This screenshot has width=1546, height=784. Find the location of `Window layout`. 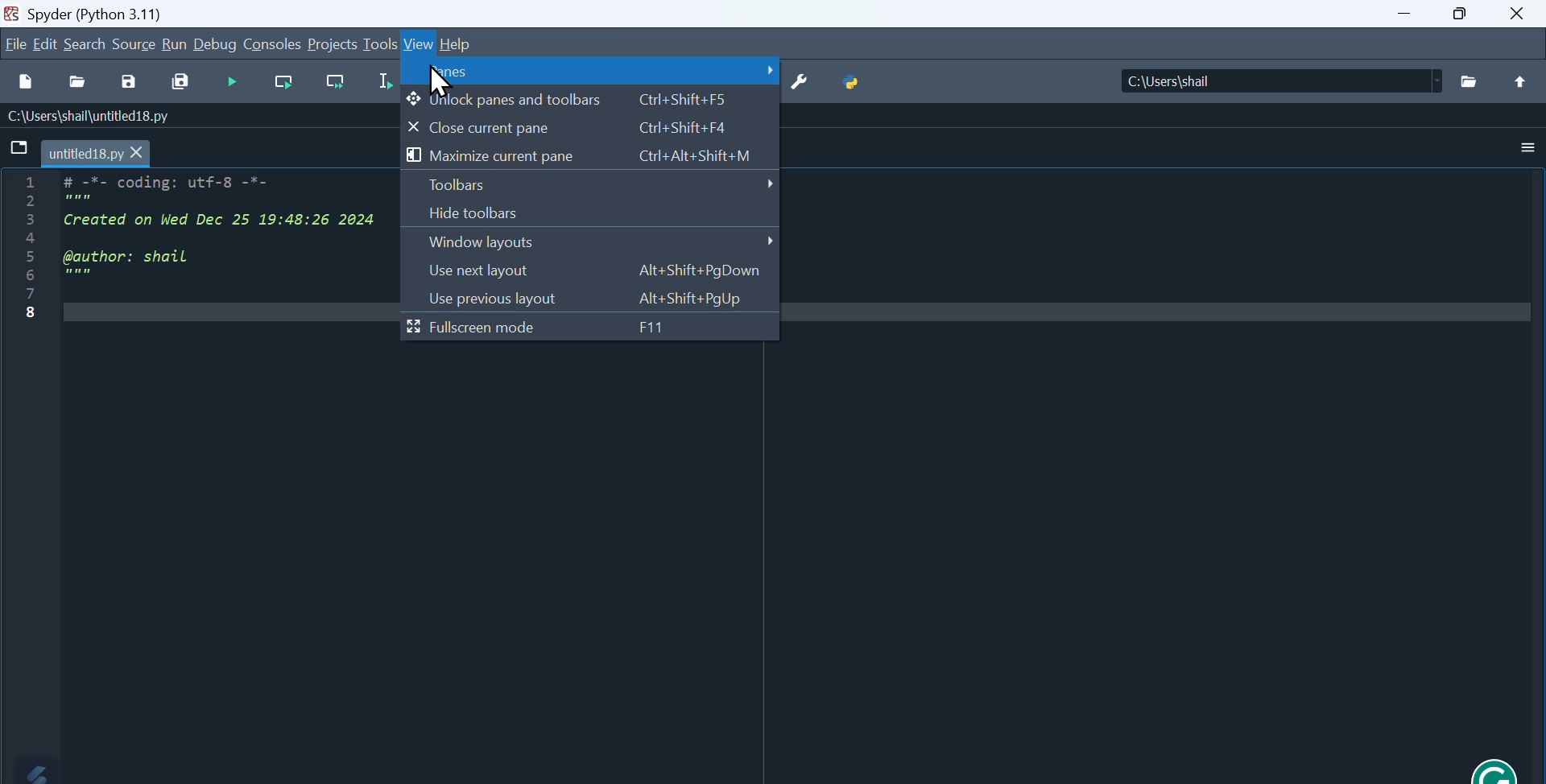

Window layout is located at coordinates (593, 246).